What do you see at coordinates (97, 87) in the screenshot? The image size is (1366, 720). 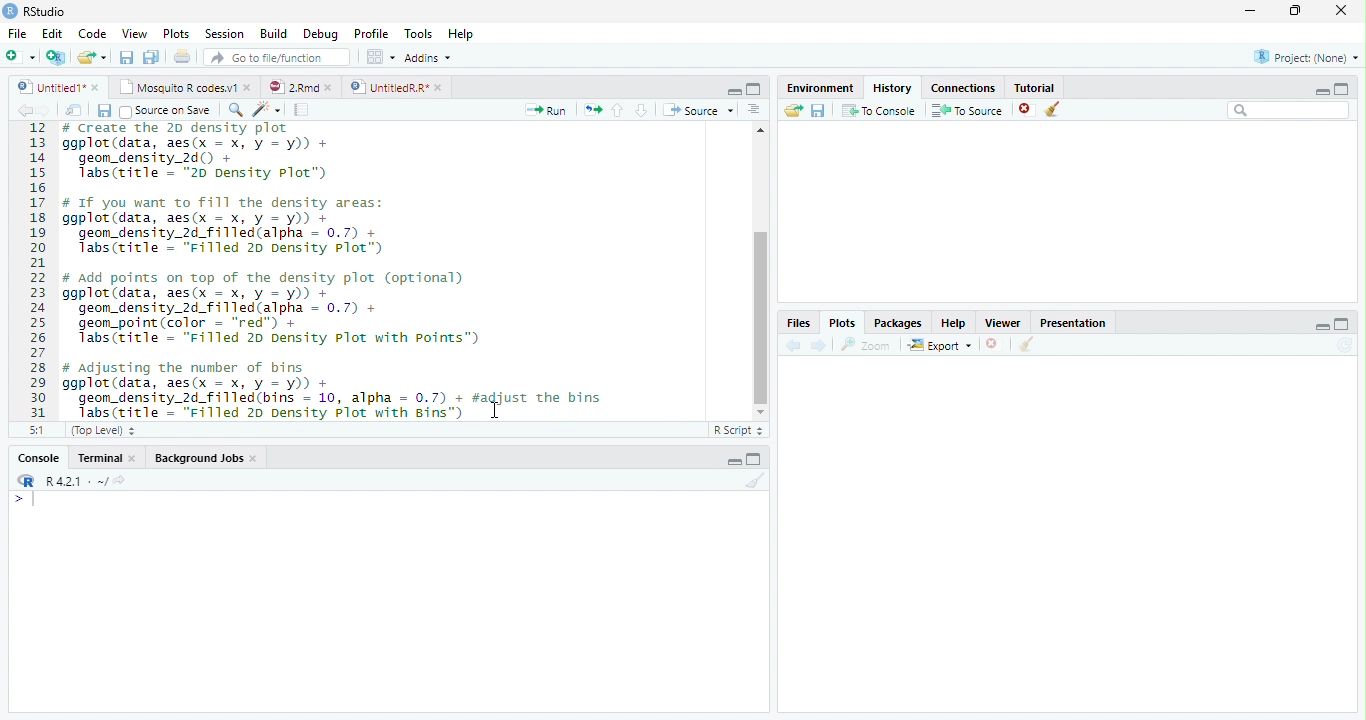 I see `close` at bounding box center [97, 87].